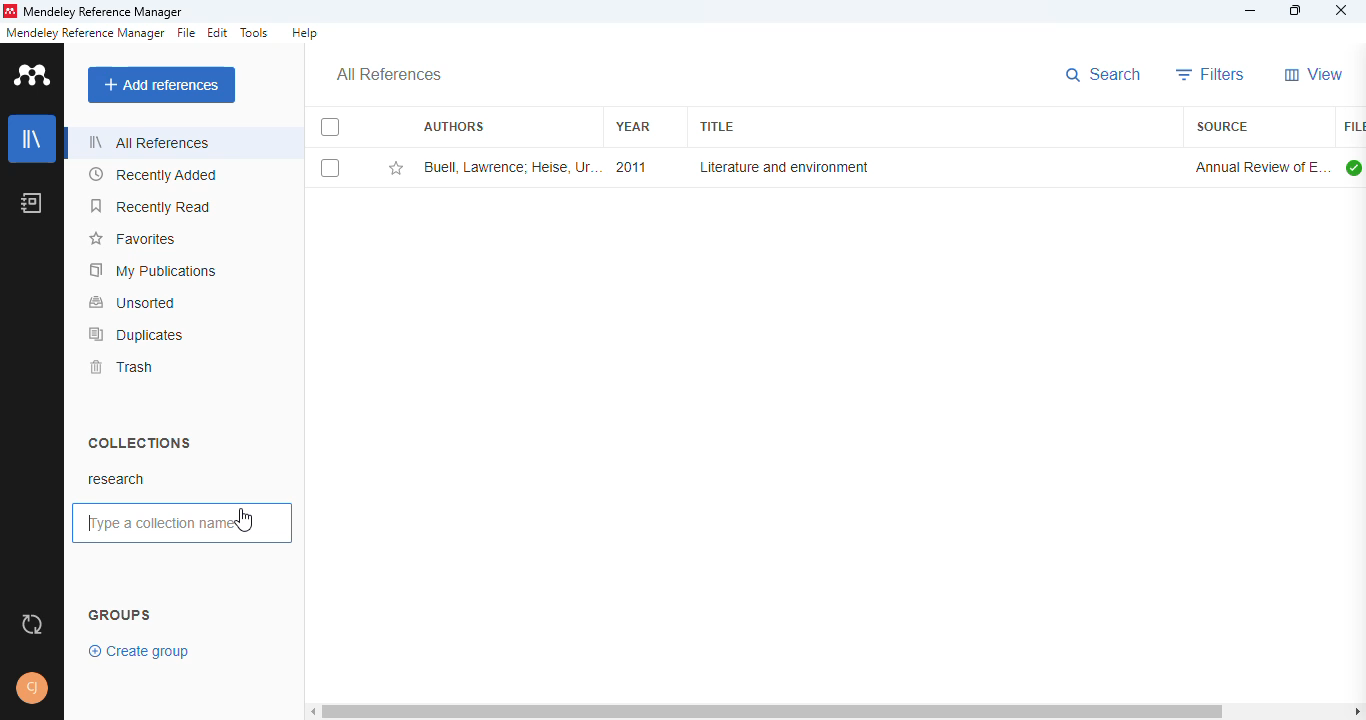 The image size is (1366, 720). Describe the element at coordinates (453, 125) in the screenshot. I see `authors` at that location.